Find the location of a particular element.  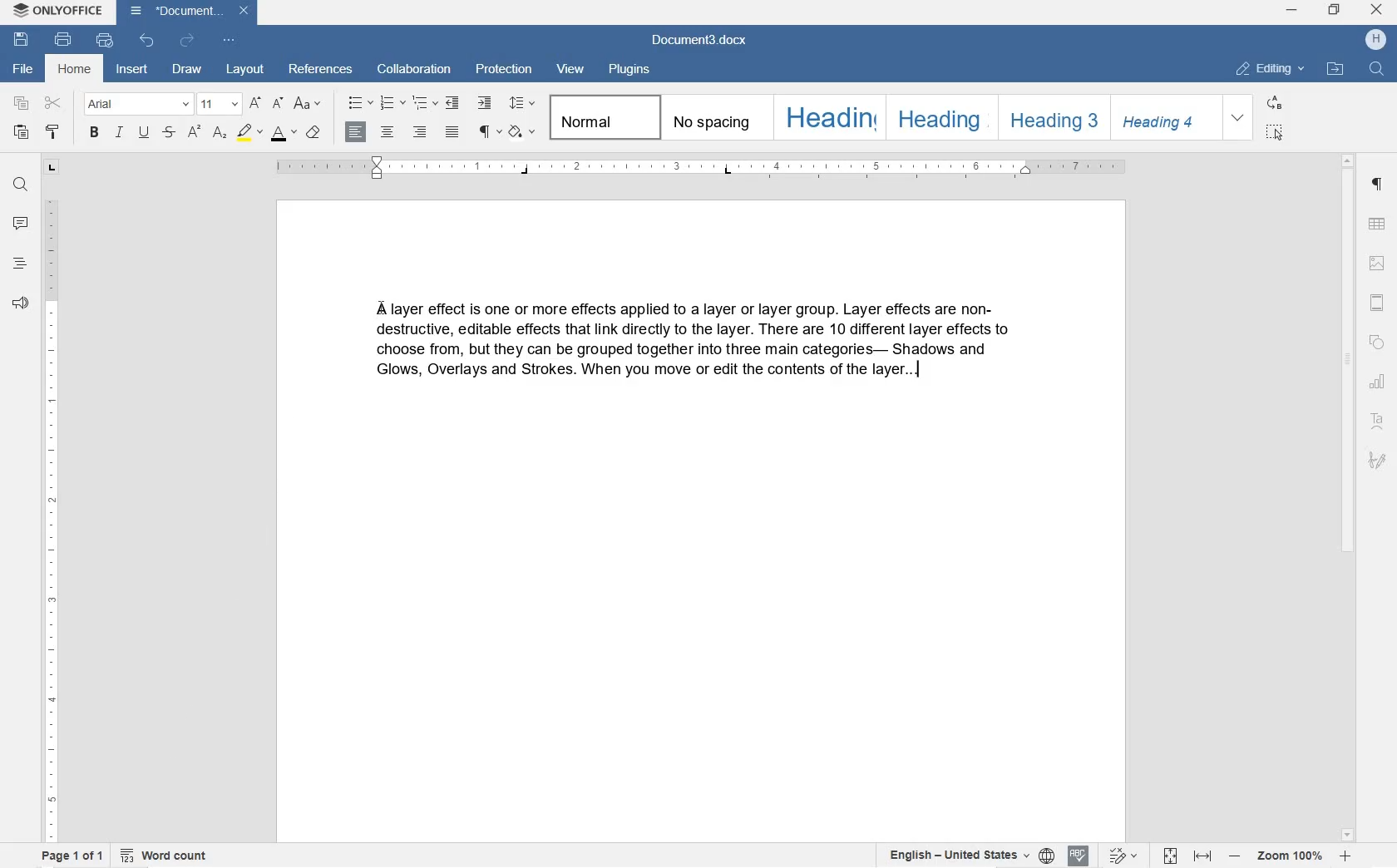

EDITING is located at coordinates (1273, 70).